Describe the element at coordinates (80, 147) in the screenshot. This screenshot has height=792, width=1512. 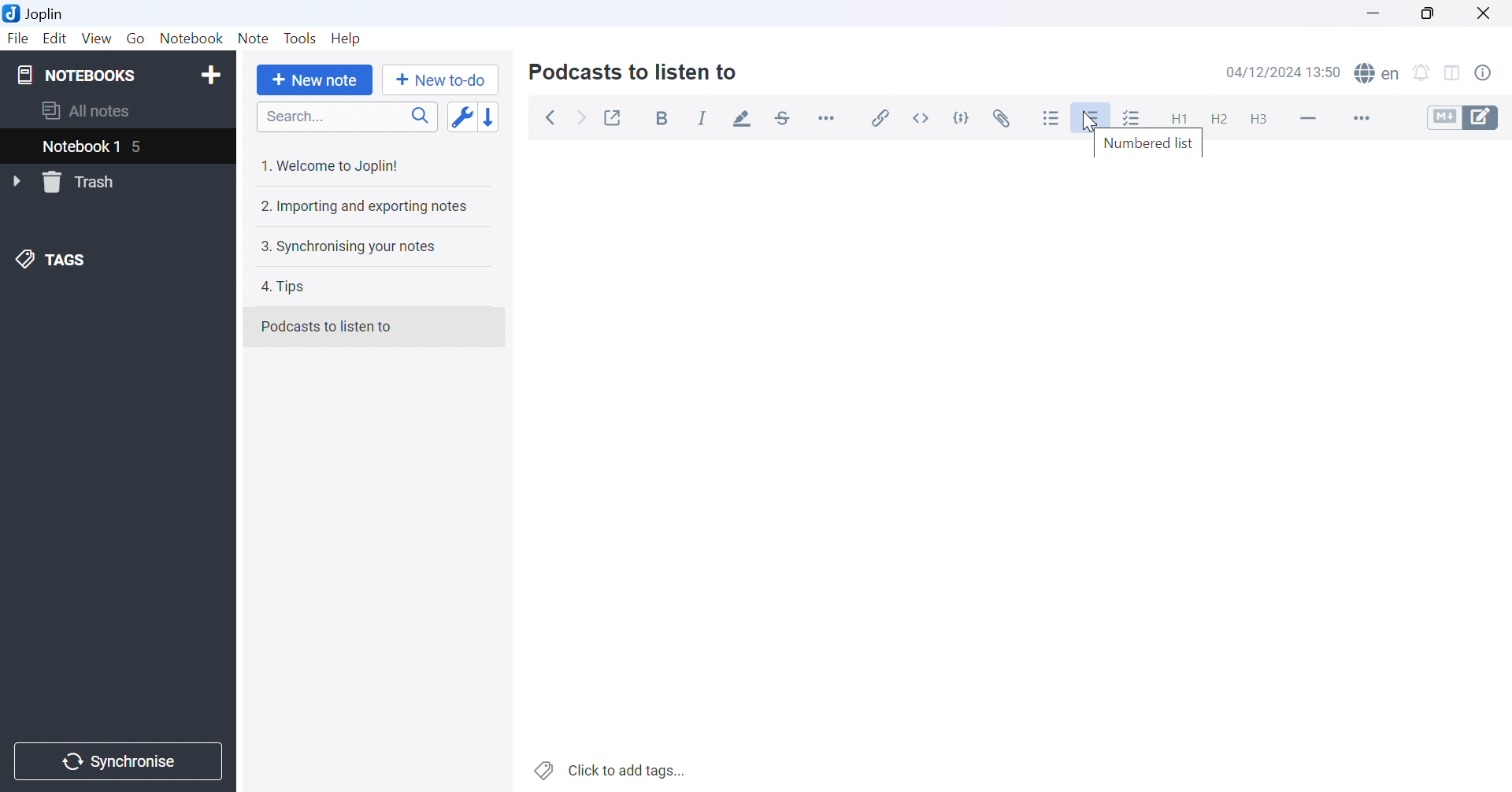
I see `Notebook 1` at that location.